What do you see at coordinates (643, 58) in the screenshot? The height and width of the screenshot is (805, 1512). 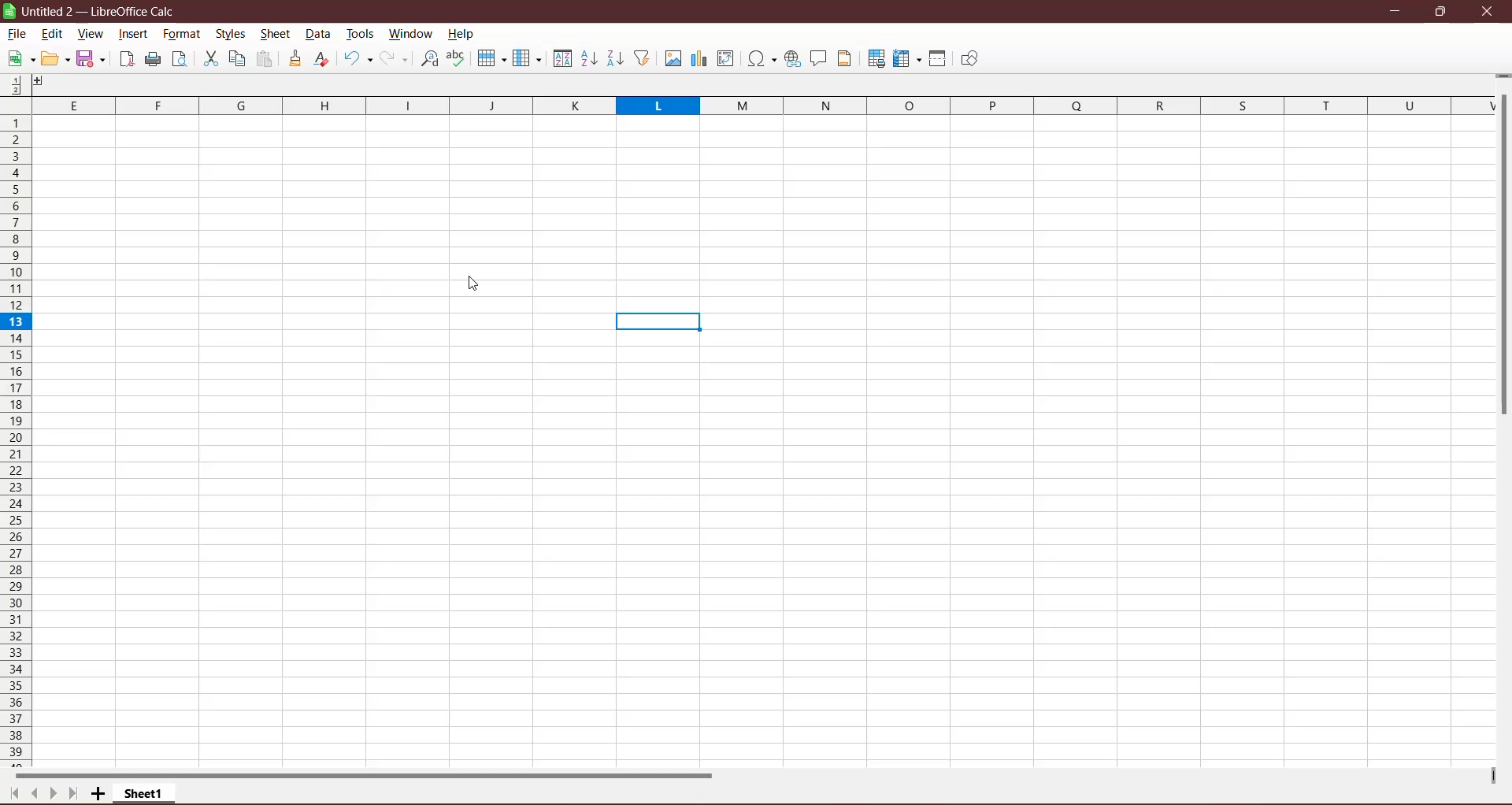 I see `AutoFilter` at bounding box center [643, 58].